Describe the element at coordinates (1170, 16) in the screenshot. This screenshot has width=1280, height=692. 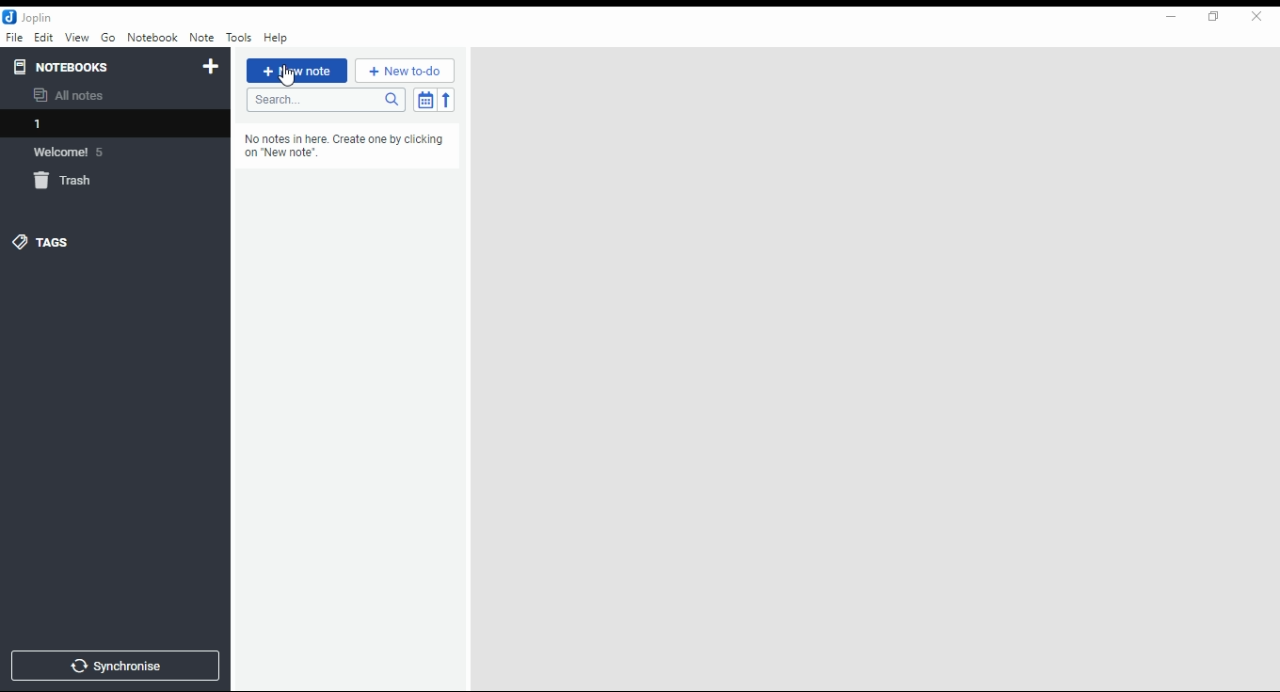
I see `minimize` at that location.